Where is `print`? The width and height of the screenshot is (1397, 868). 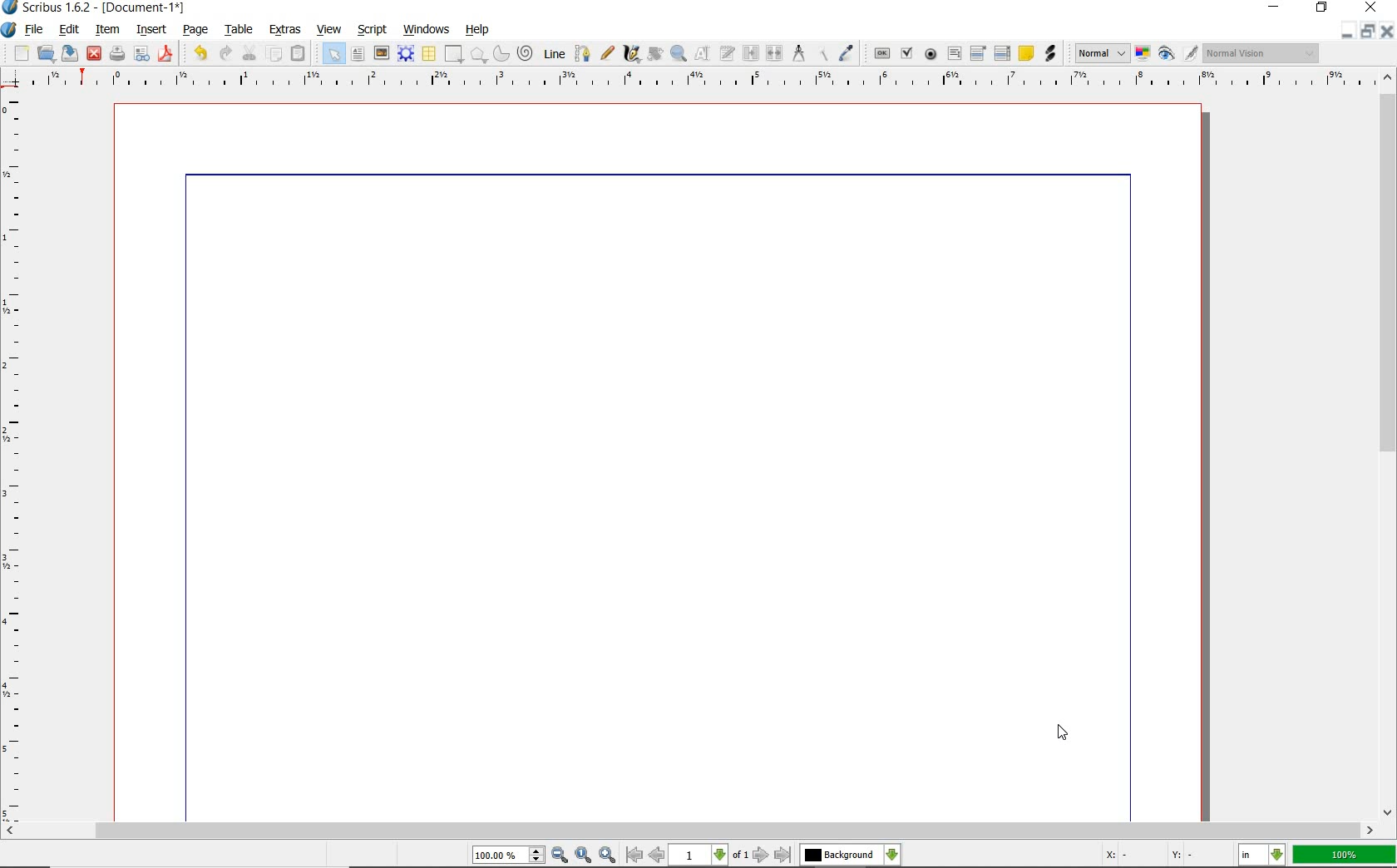 print is located at coordinates (117, 55).